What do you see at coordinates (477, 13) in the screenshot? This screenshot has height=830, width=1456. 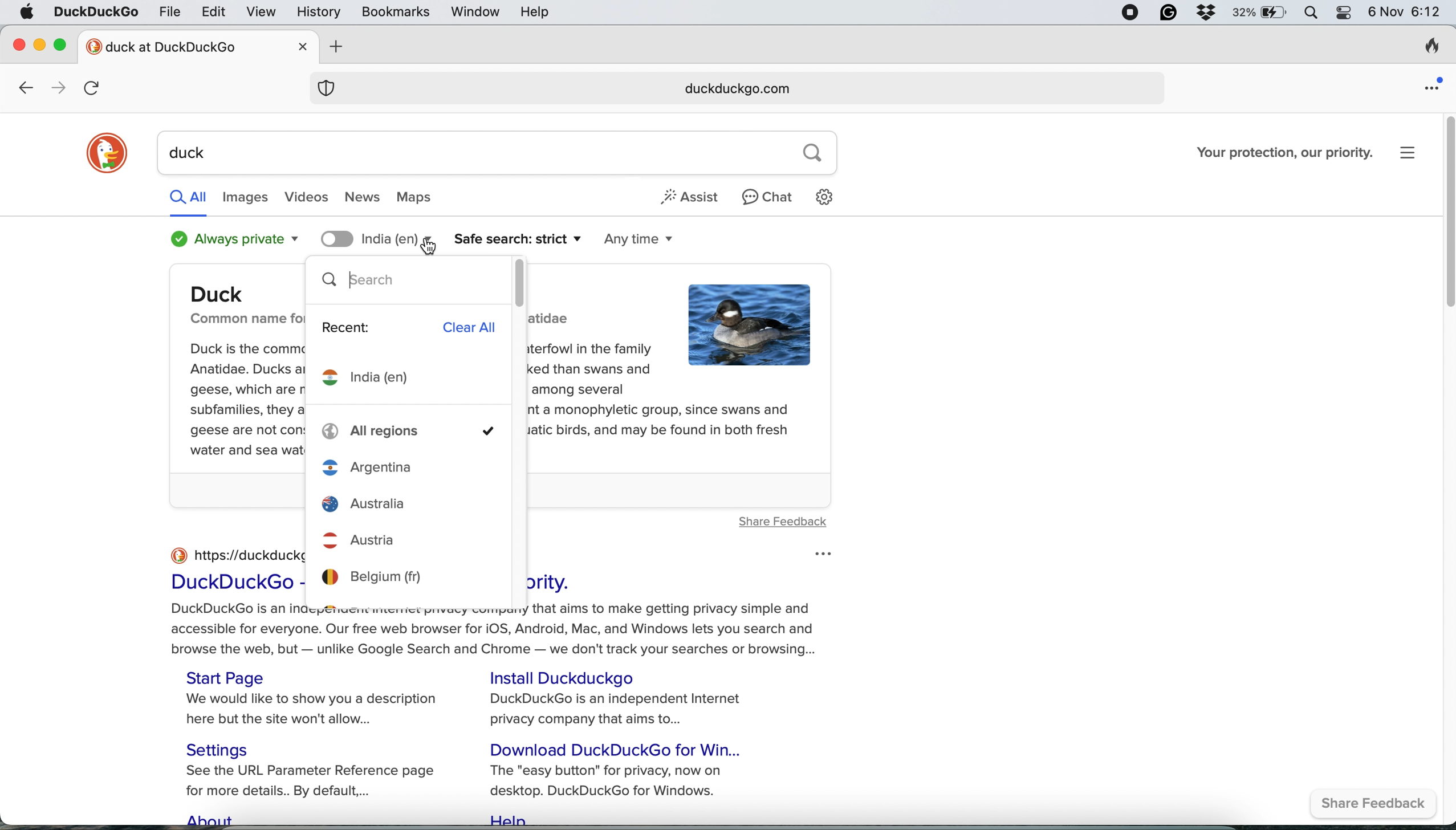 I see `window` at bounding box center [477, 13].